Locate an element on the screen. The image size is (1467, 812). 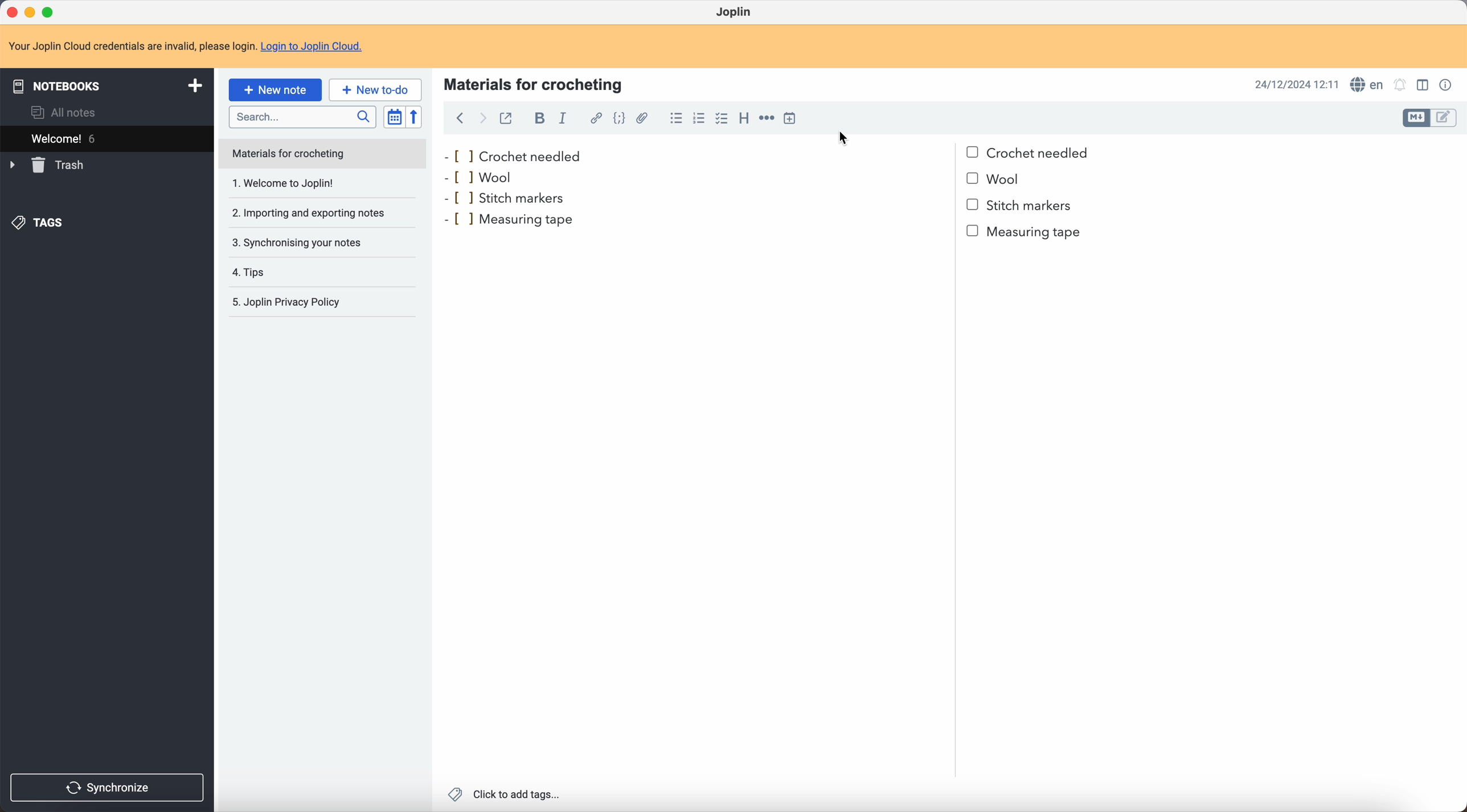
crochet needled is located at coordinates (769, 151).